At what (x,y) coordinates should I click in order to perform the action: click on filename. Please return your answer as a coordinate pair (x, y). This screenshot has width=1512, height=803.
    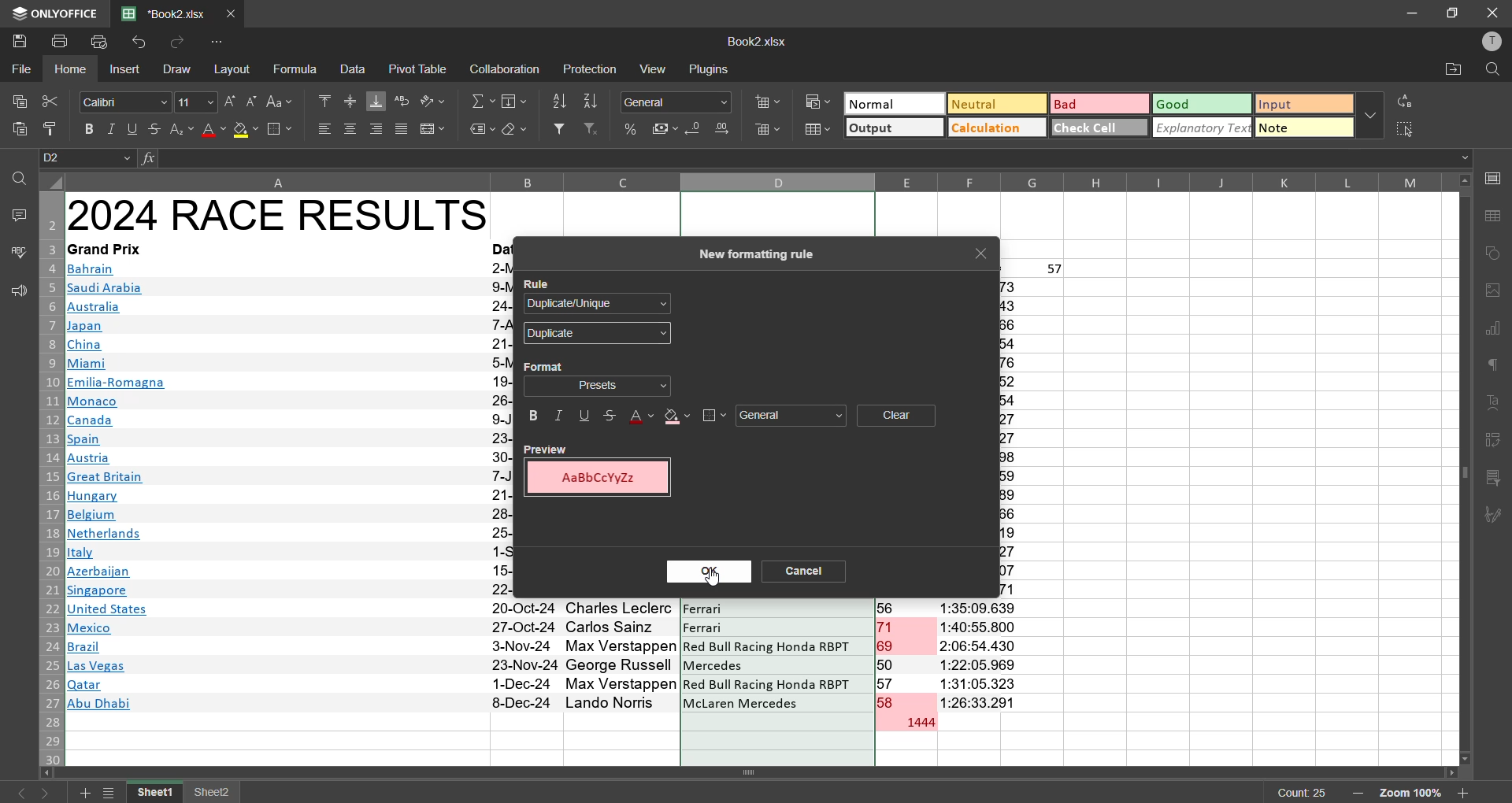
    Looking at the image, I should click on (169, 12).